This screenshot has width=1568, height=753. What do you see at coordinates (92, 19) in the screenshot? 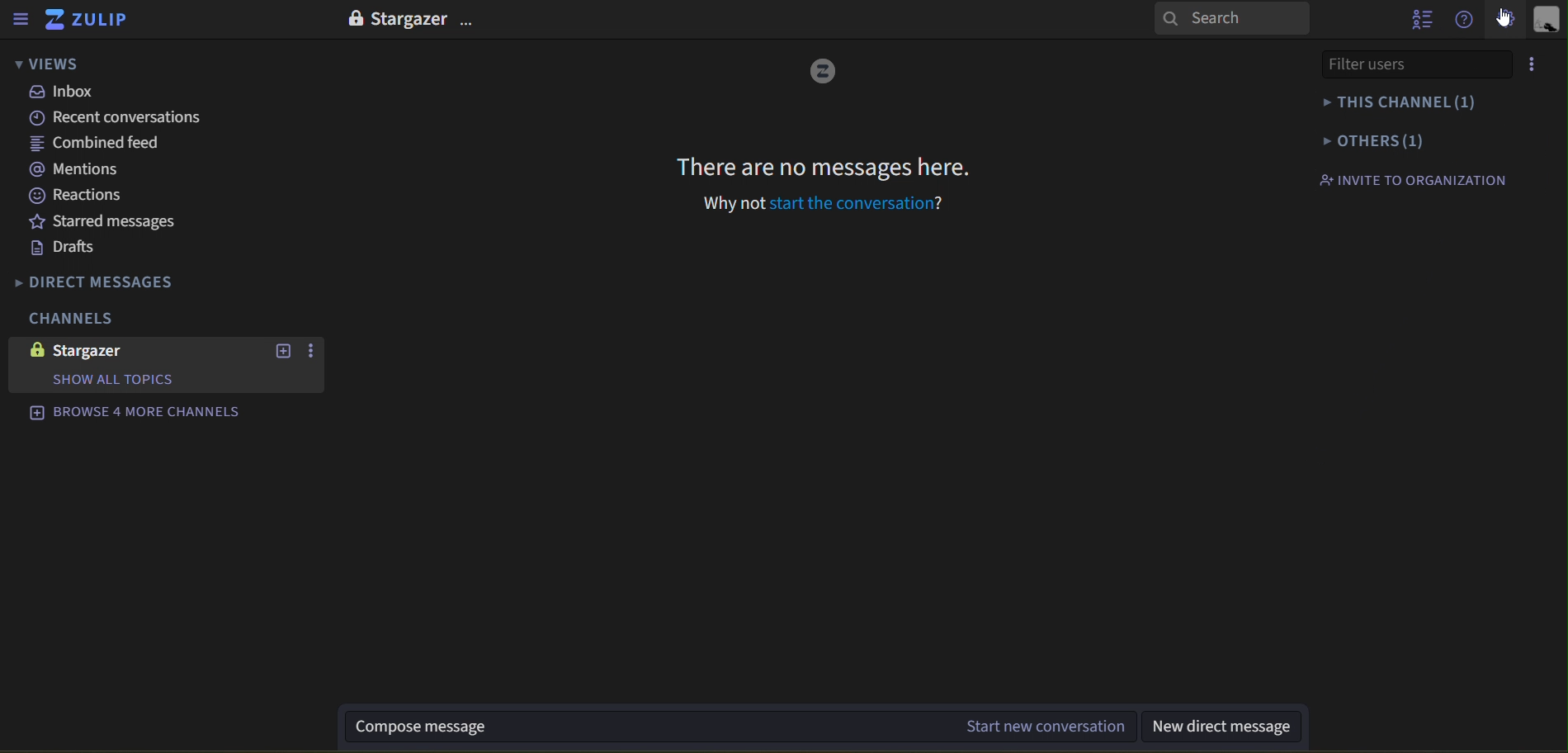
I see `zulip` at bounding box center [92, 19].